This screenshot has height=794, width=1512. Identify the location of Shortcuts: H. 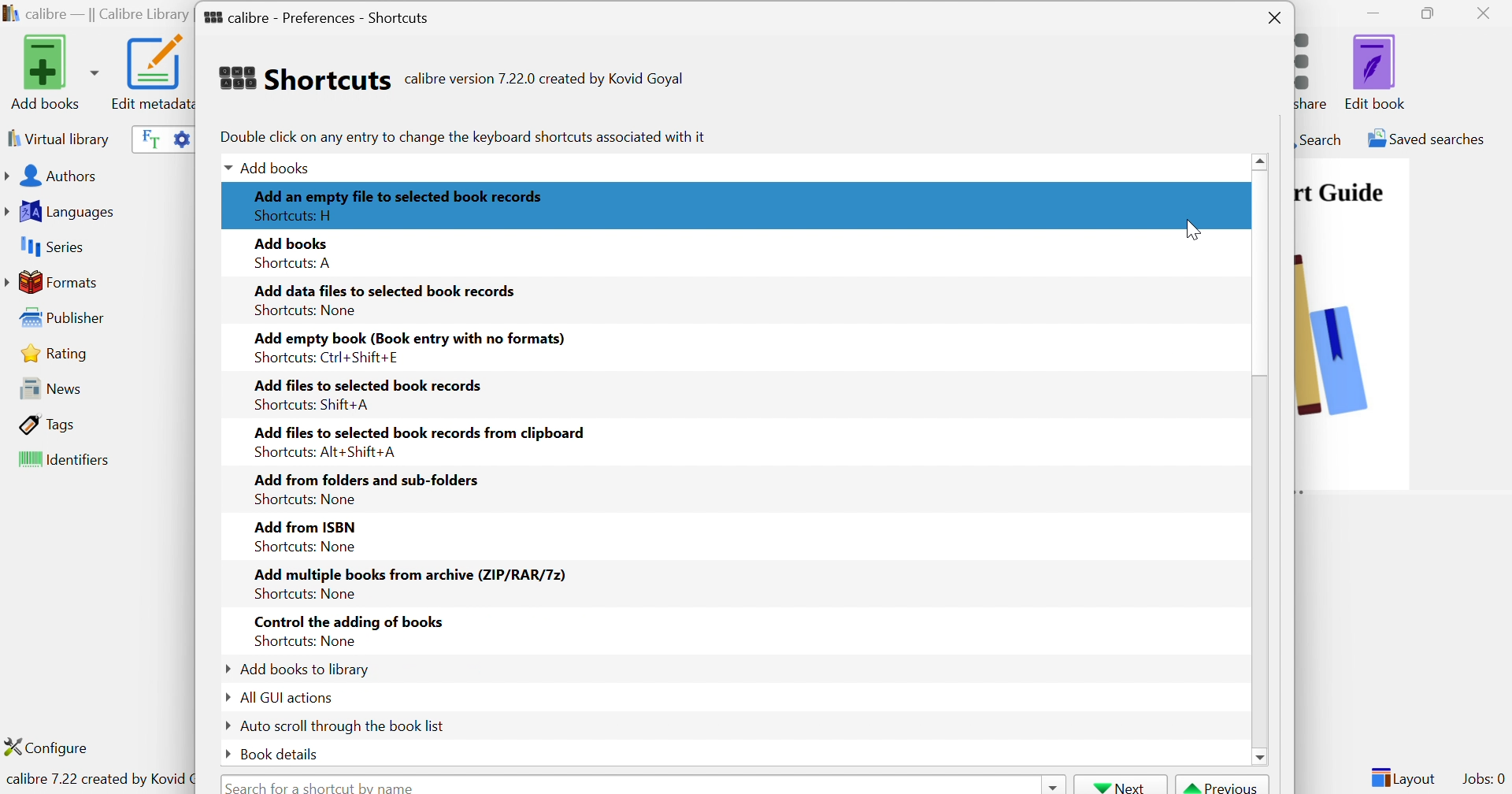
(297, 213).